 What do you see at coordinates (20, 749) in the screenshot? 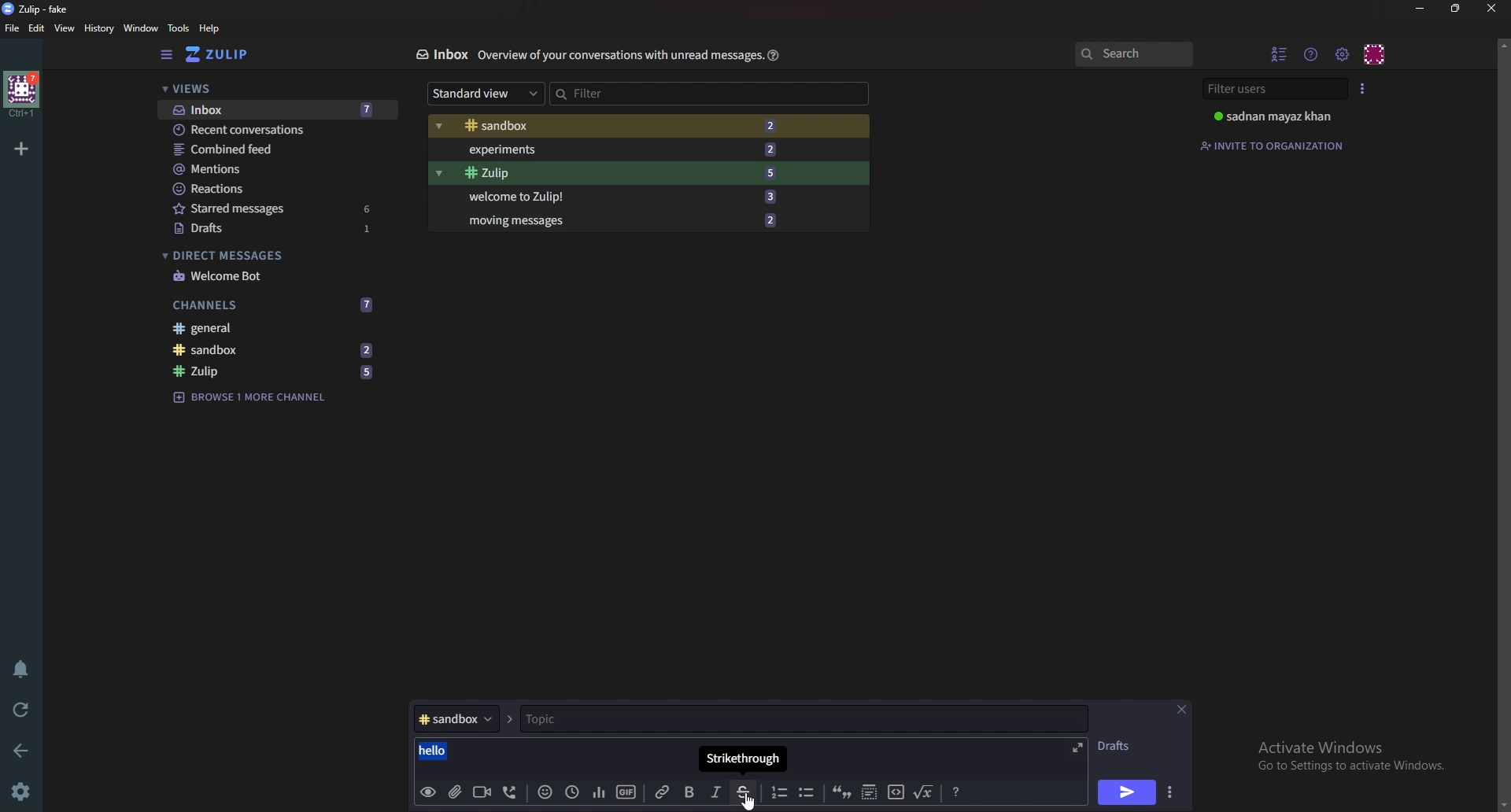
I see `back` at bounding box center [20, 749].